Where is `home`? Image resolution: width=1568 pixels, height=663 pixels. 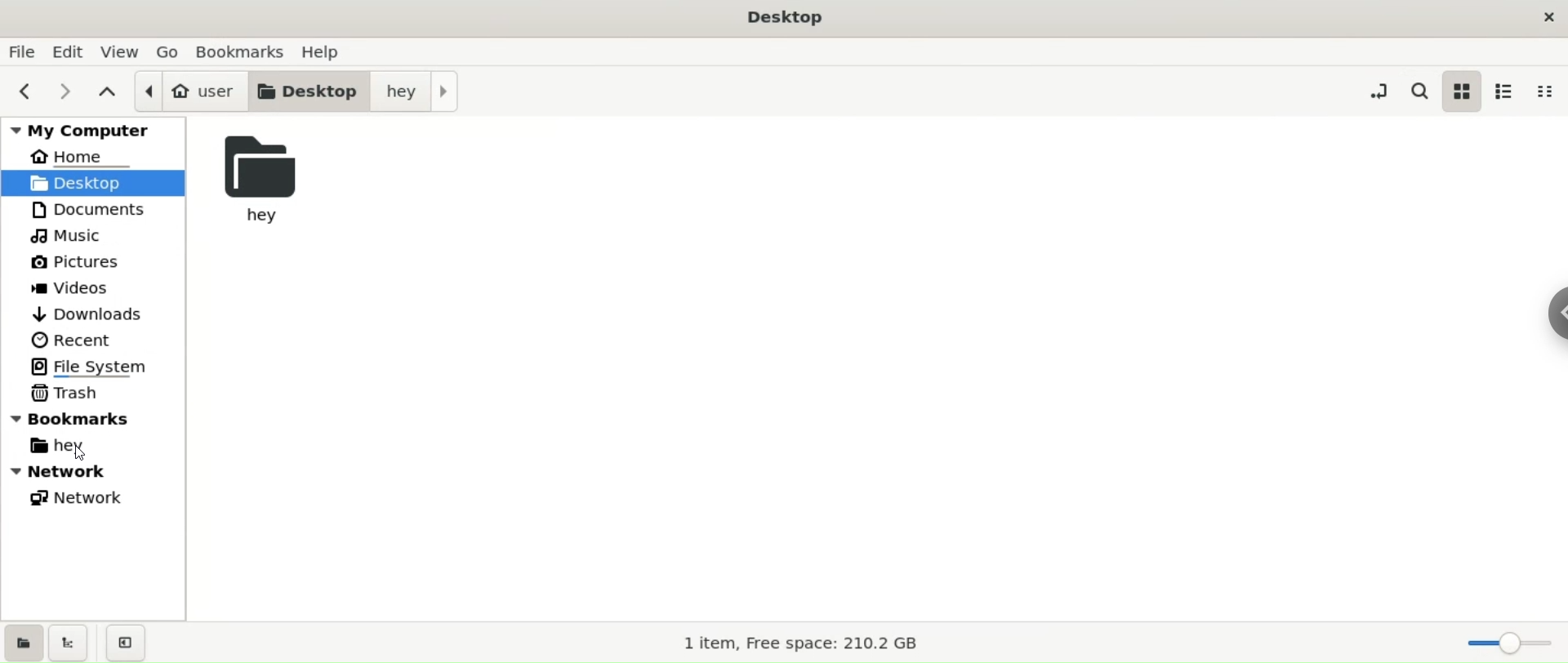 home is located at coordinates (82, 158).